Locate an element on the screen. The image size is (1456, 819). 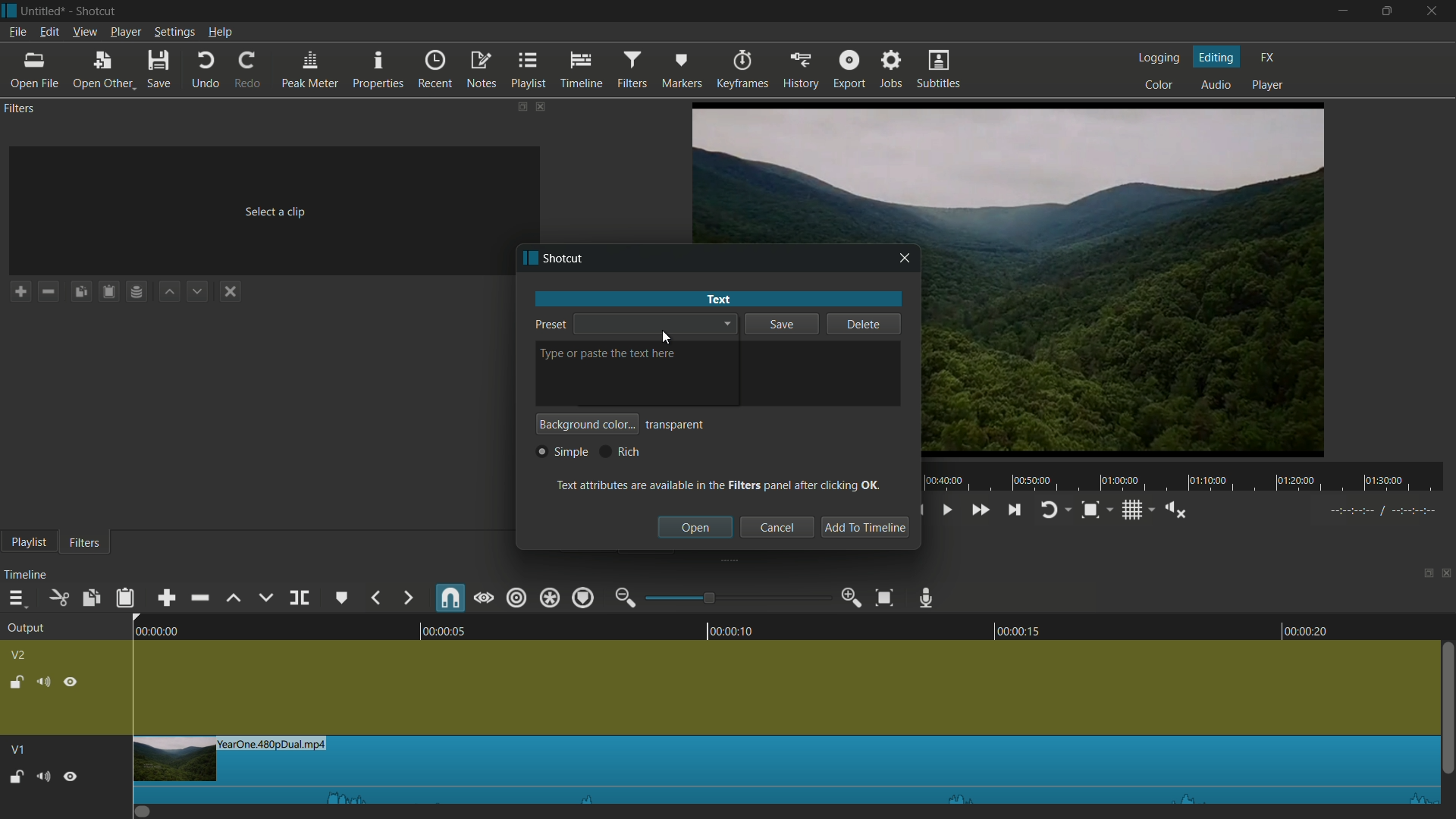
view menu is located at coordinates (86, 32).